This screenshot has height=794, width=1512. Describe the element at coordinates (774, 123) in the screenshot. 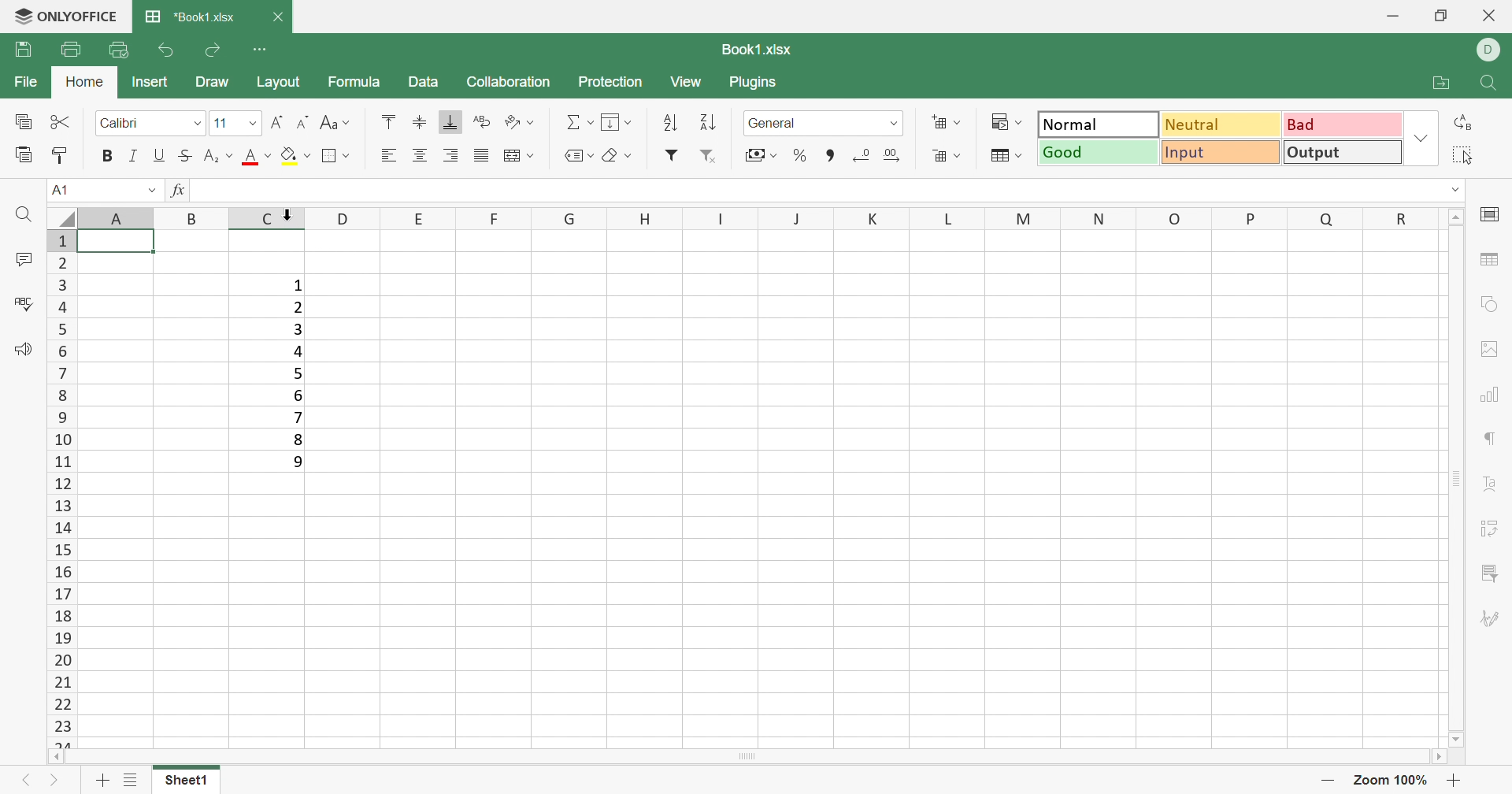

I see `General` at that location.